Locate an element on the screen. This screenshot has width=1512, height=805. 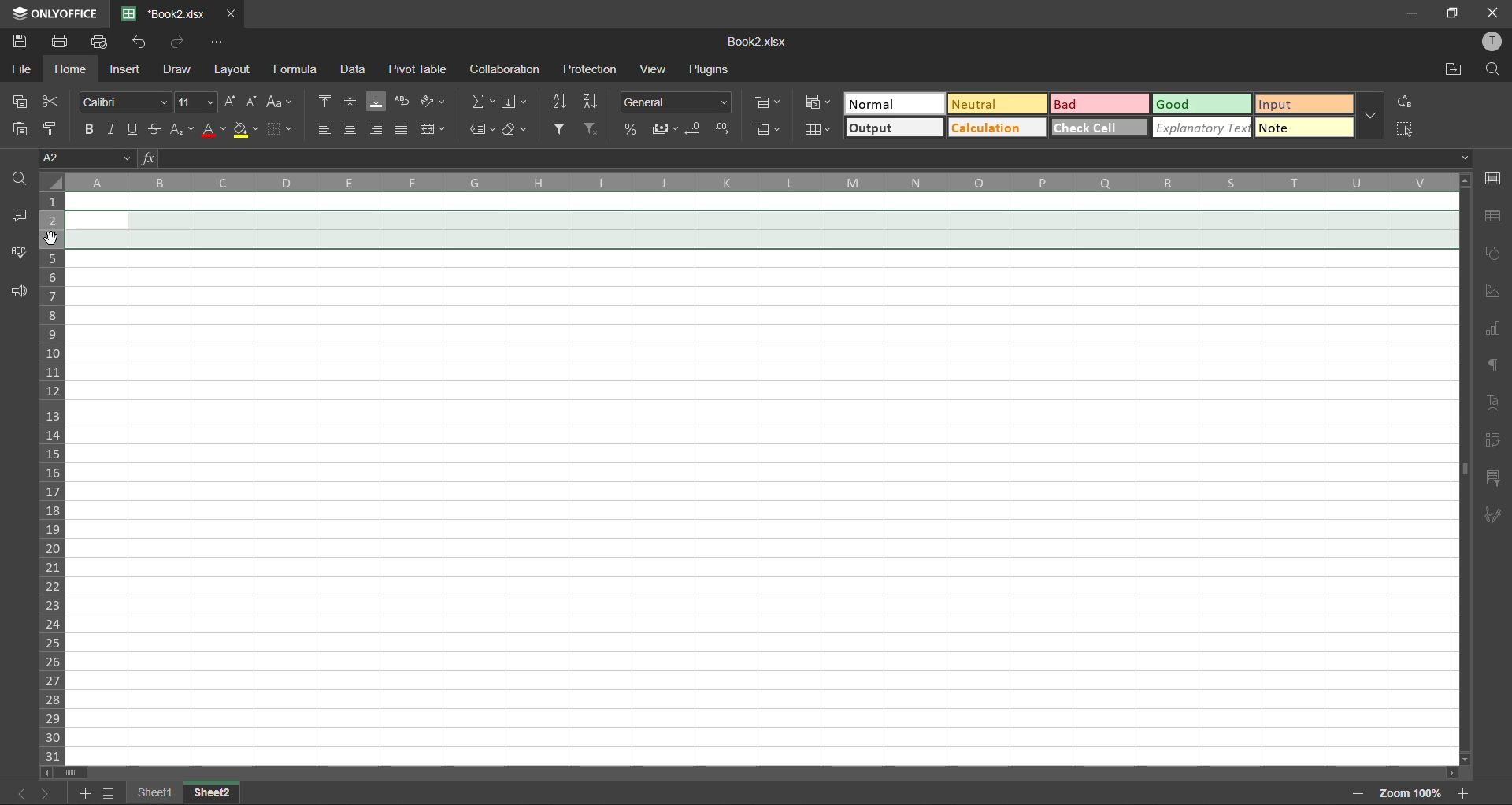
two rows selected is located at coordinates (759, 230).